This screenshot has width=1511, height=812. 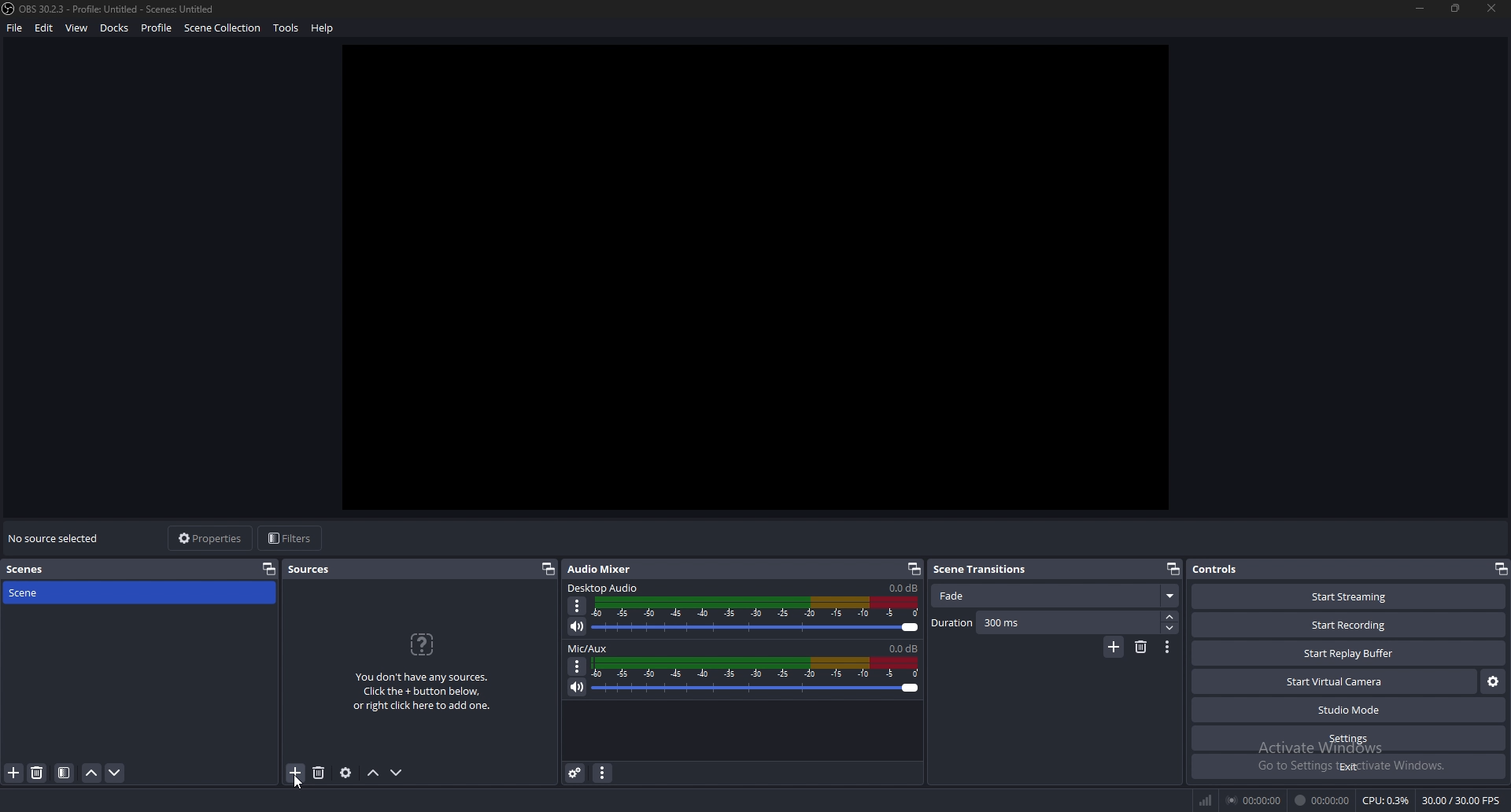 What do you see at coordinates (225, 28) in the screenshot?
I see `scene collection` at bounding box center [225, 28].